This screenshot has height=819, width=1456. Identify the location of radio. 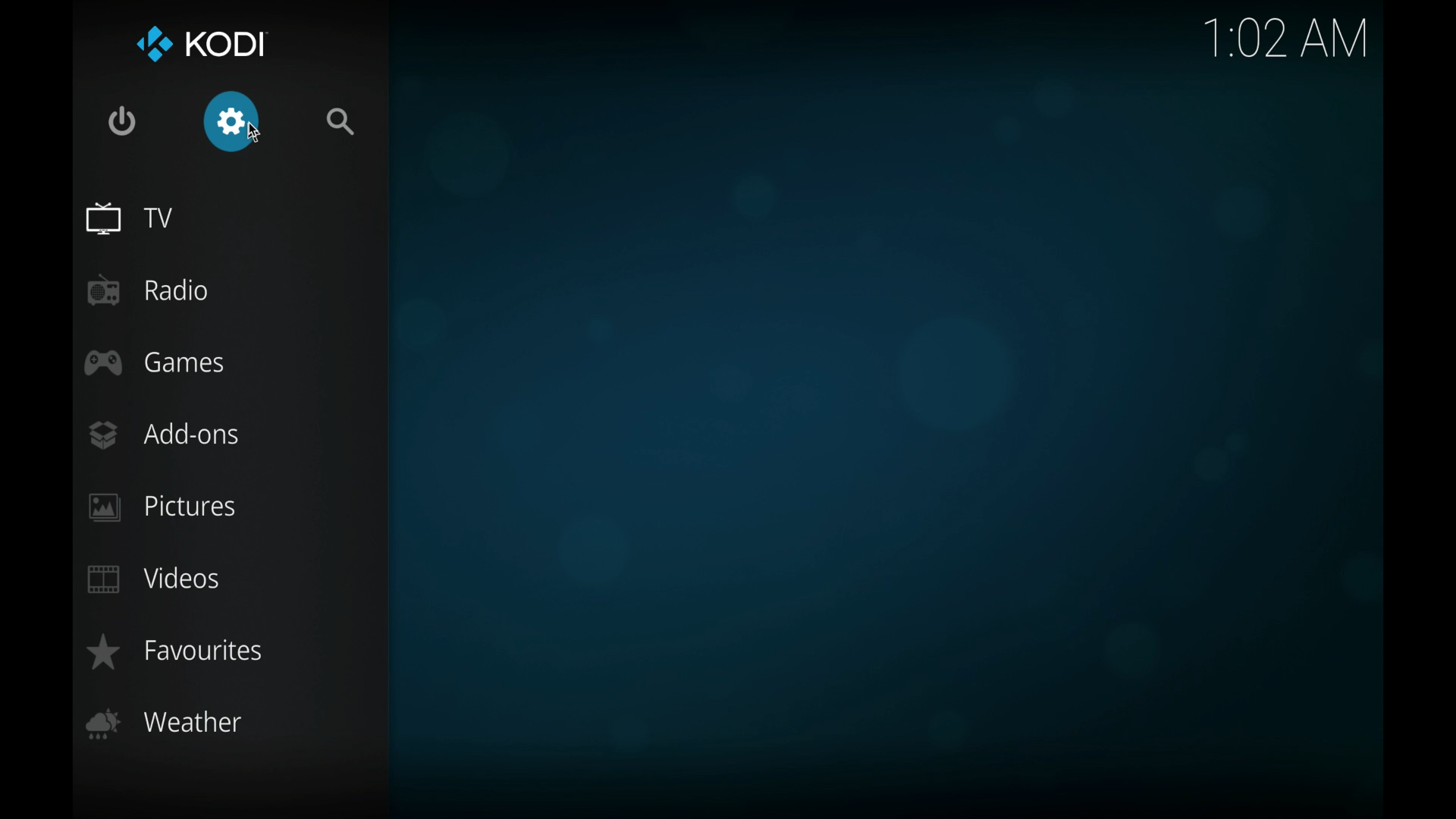
(149, 290).